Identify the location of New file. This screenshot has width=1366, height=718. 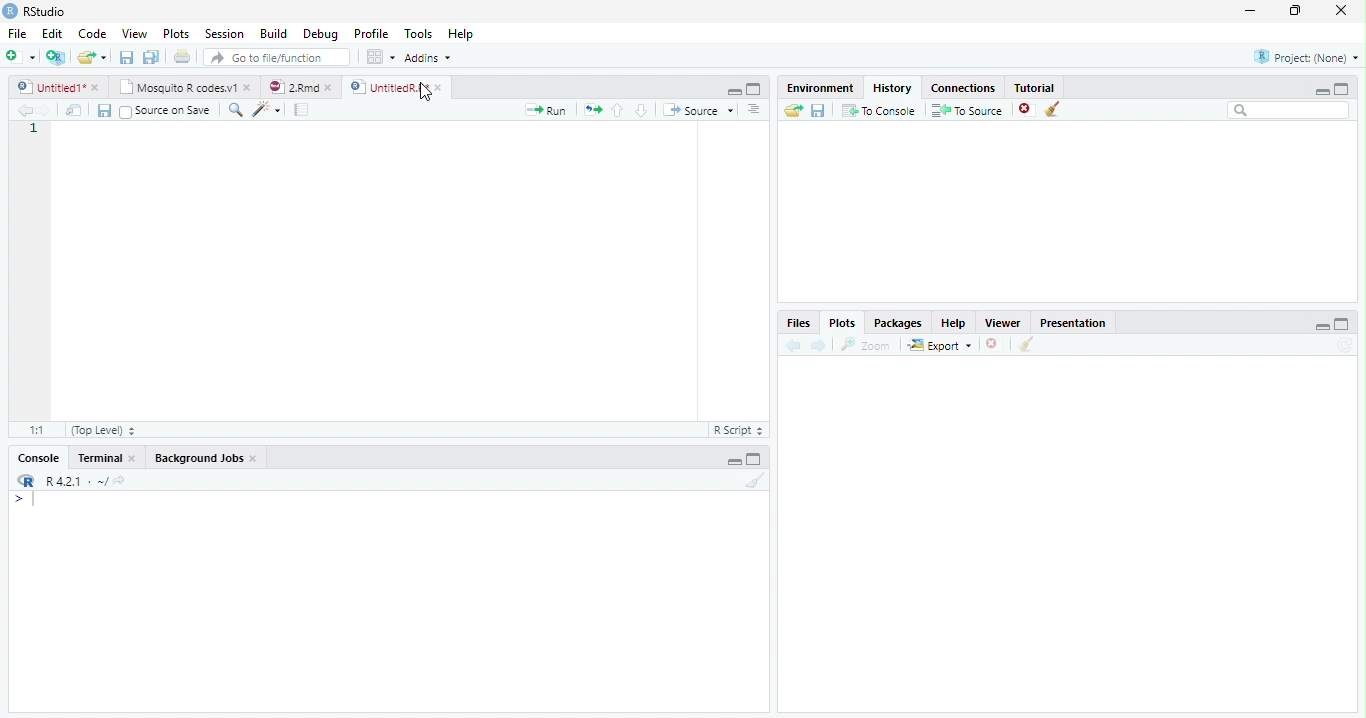
(19, 56).